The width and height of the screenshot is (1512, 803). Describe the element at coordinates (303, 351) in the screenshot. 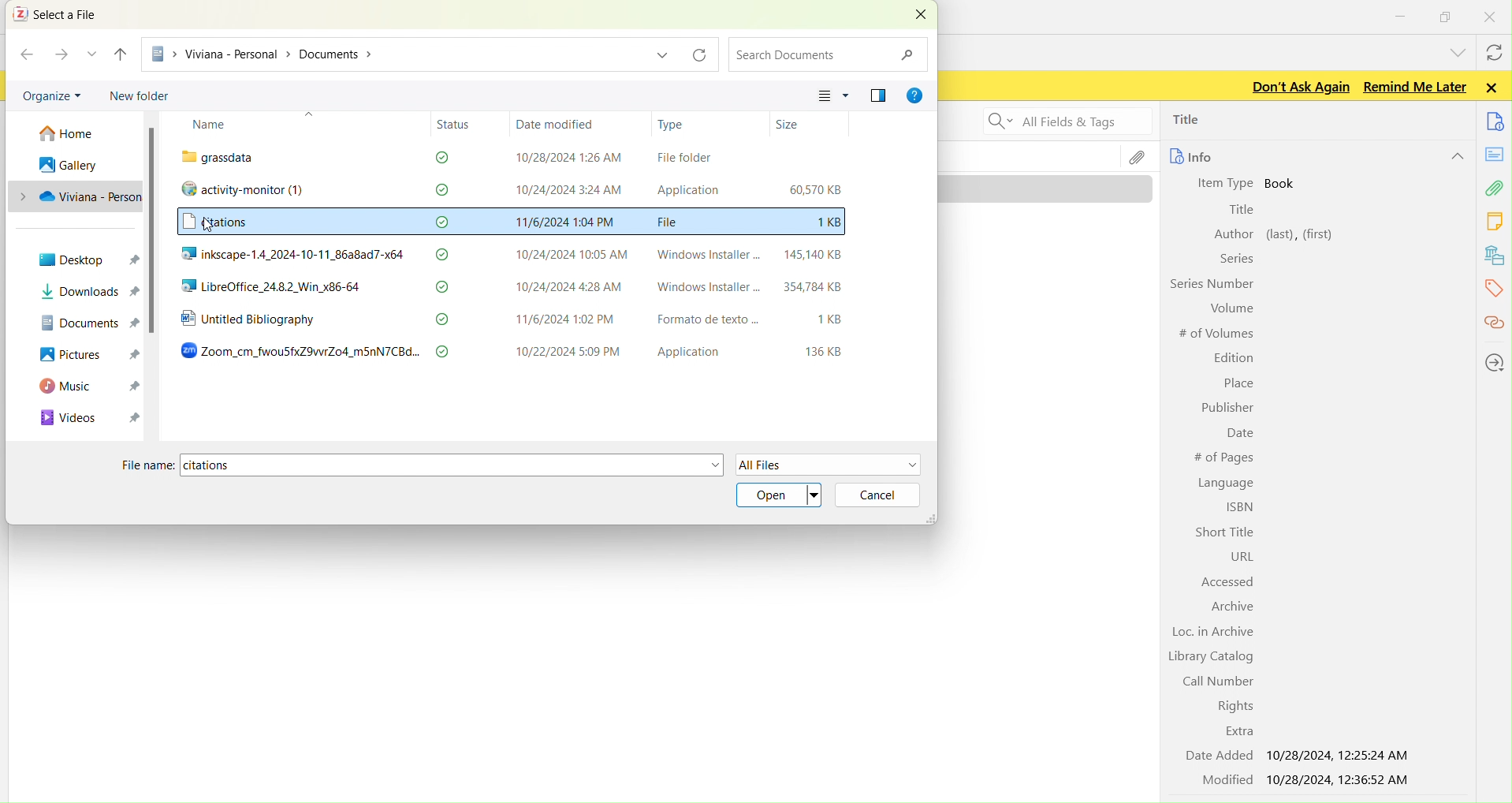

I see ` Zoom_cm_fwouSfxZ9vwrZo4_m5nN7CBd...` at that location.